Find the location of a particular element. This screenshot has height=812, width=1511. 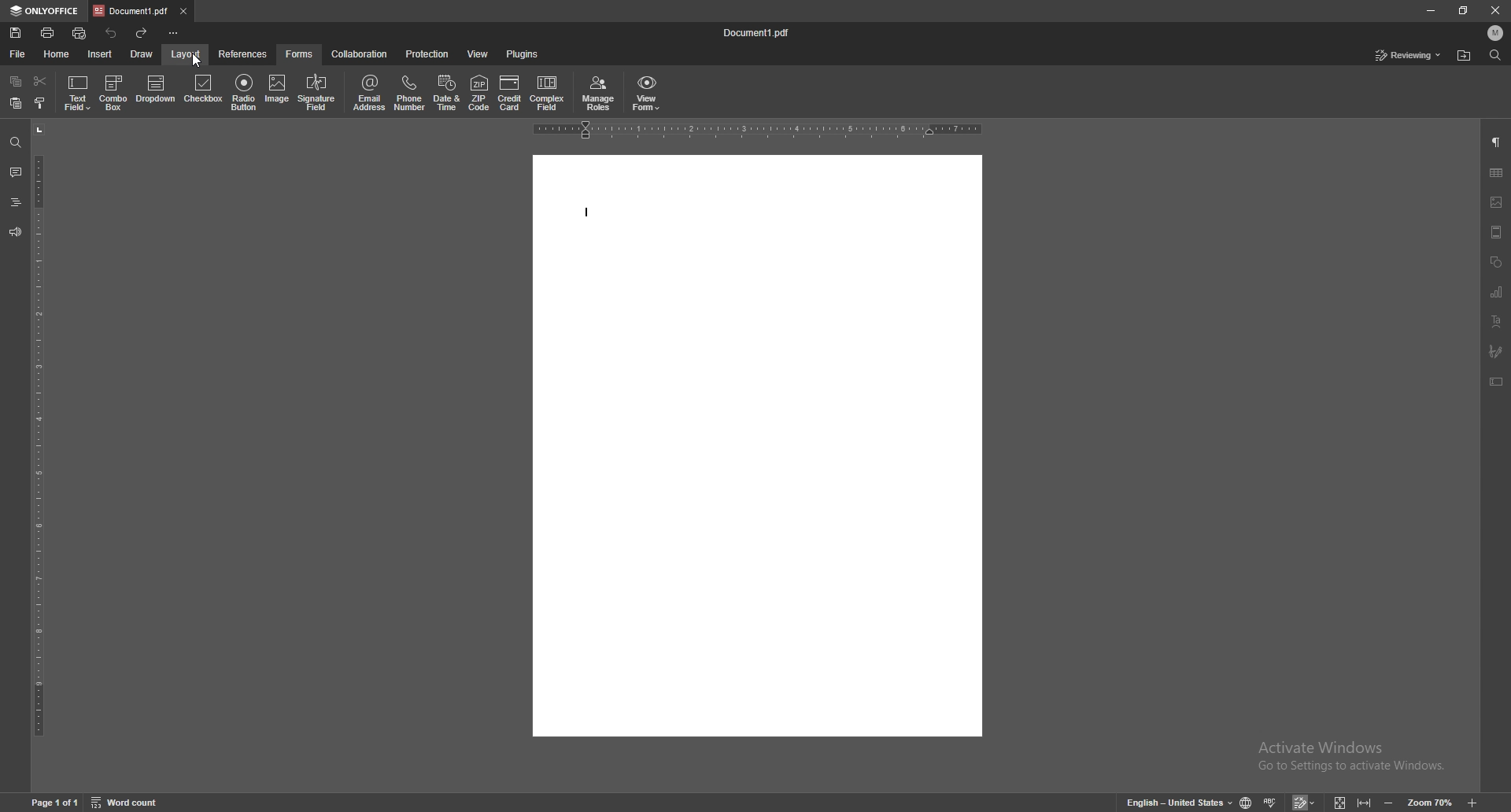

date and time is located at coordinates (447, 92).